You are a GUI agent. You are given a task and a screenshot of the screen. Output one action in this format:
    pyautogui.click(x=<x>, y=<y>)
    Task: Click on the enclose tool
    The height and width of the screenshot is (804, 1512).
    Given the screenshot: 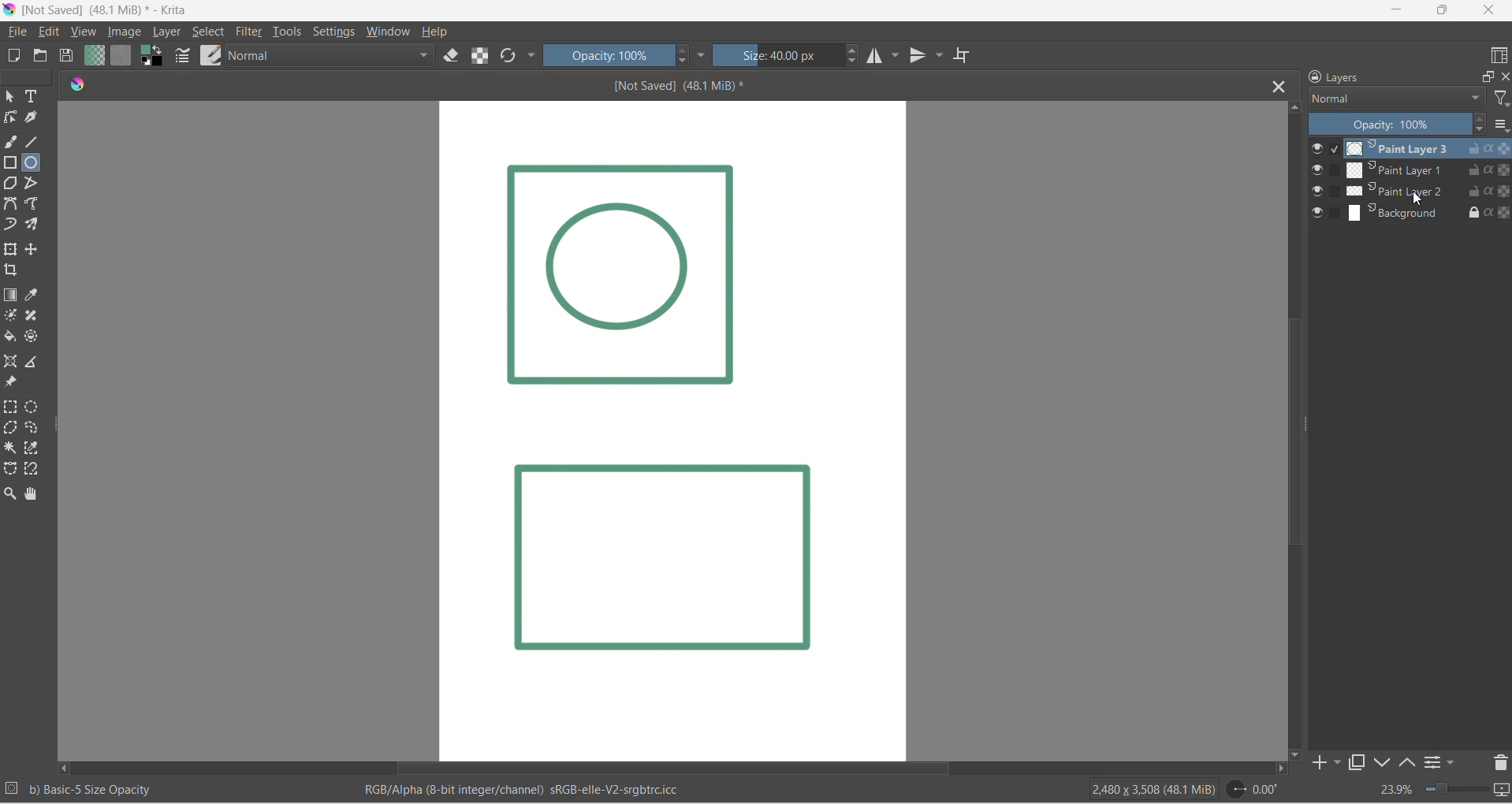 What is the action you would take?
    pyautogui.click(x=35, y=337)
    